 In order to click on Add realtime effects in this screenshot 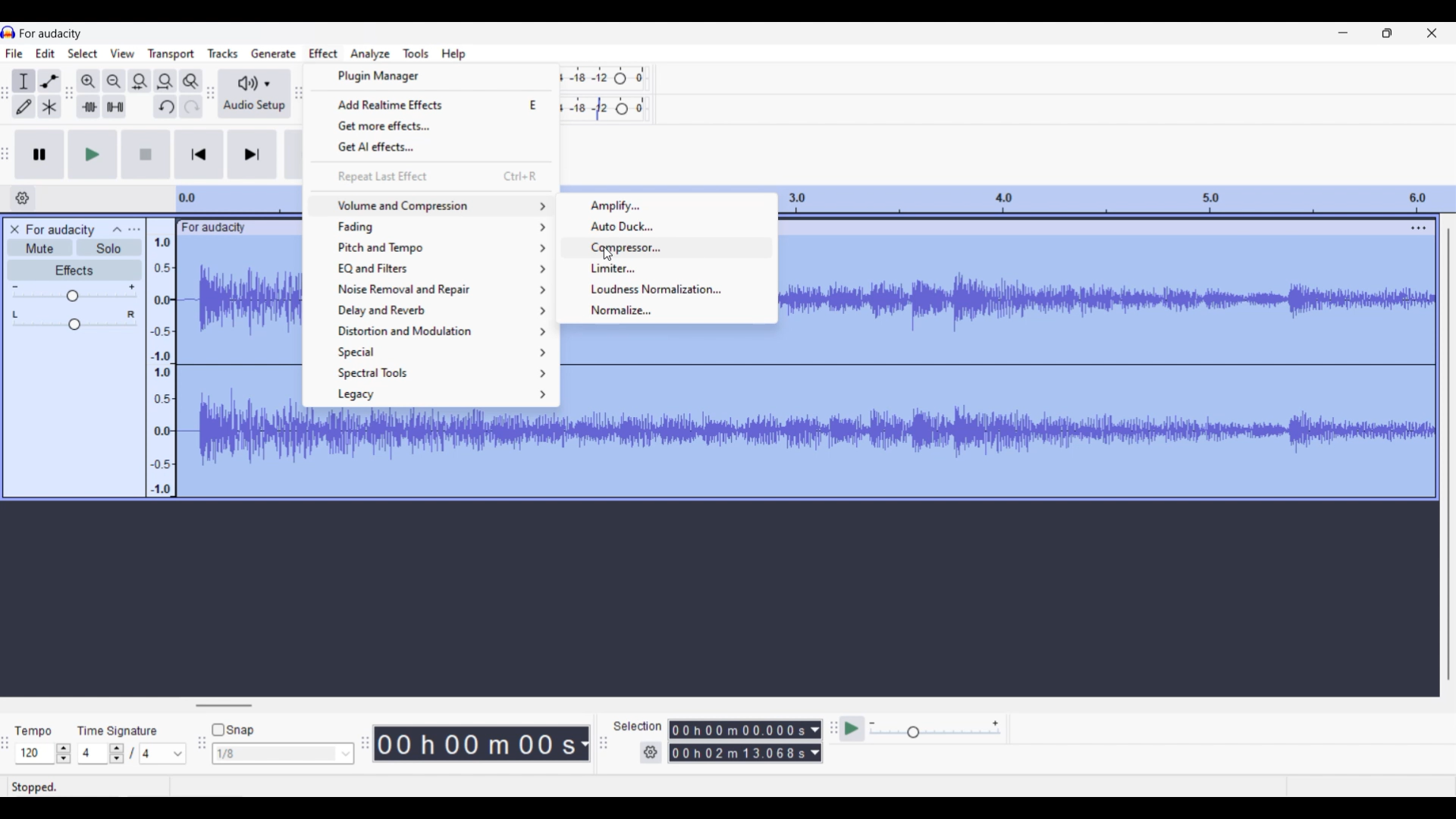, I will do `click(433, 104)`.